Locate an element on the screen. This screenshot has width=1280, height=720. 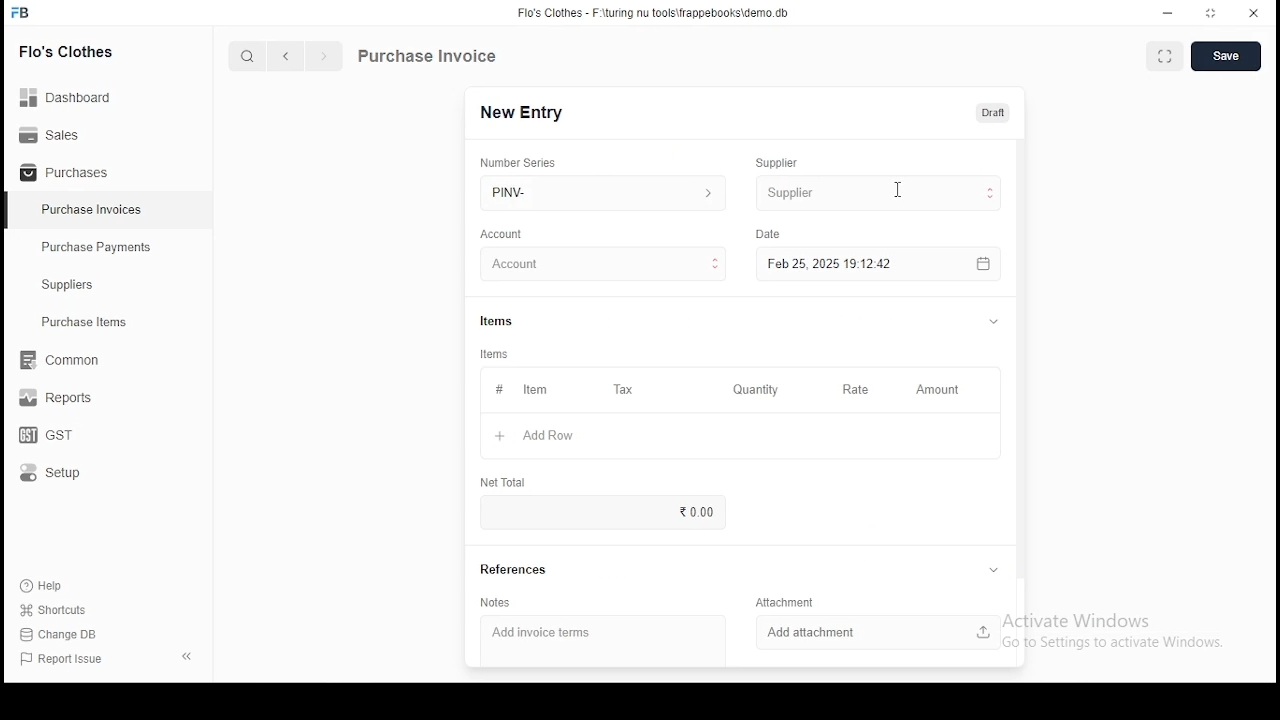
icon is located at coordinates (21, 13).